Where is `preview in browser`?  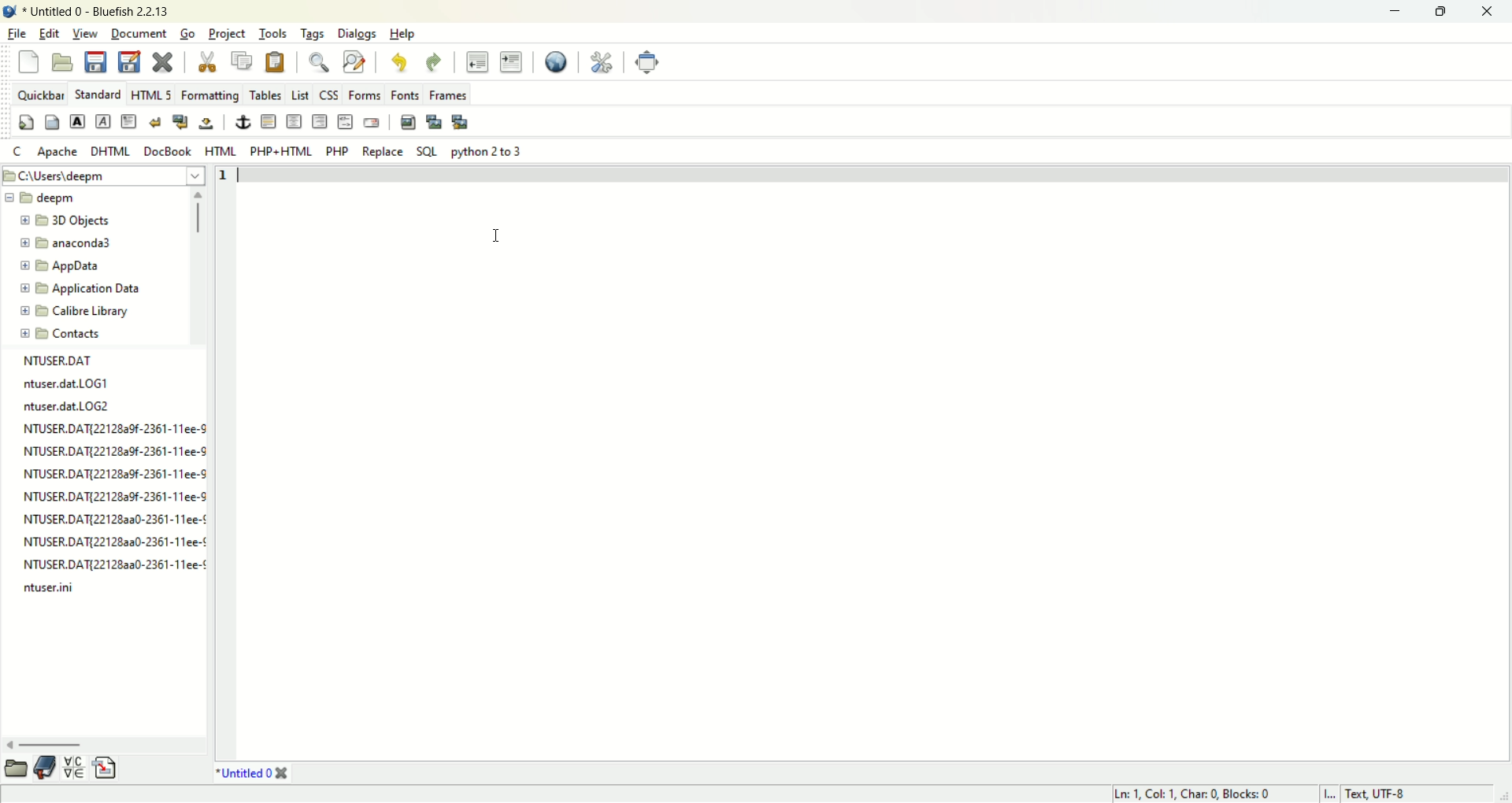 preview in browser is located at coordinates (552, 60).